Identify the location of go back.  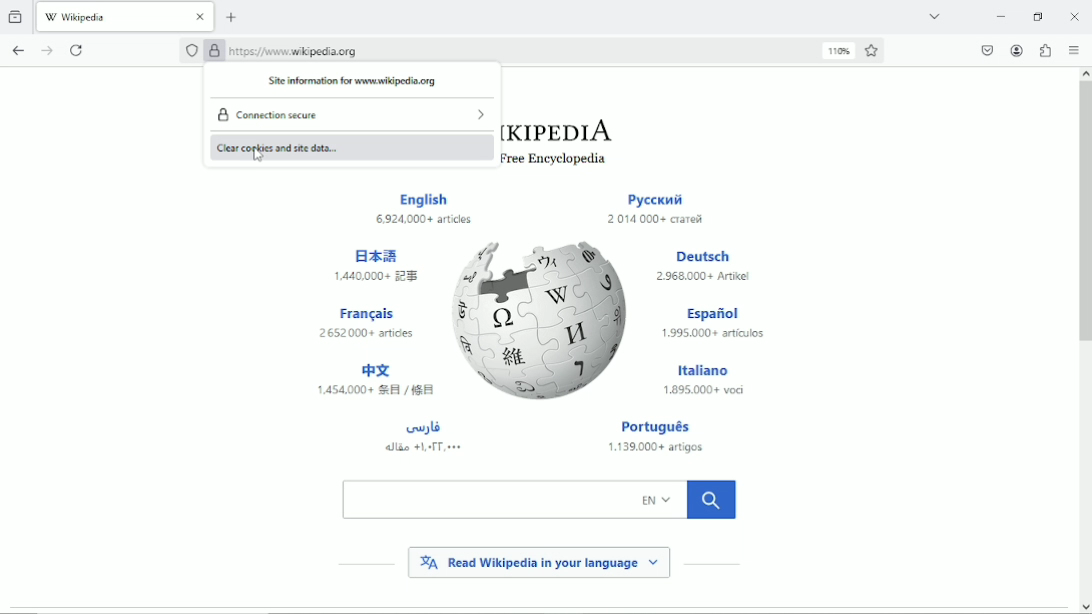
(18, 48).